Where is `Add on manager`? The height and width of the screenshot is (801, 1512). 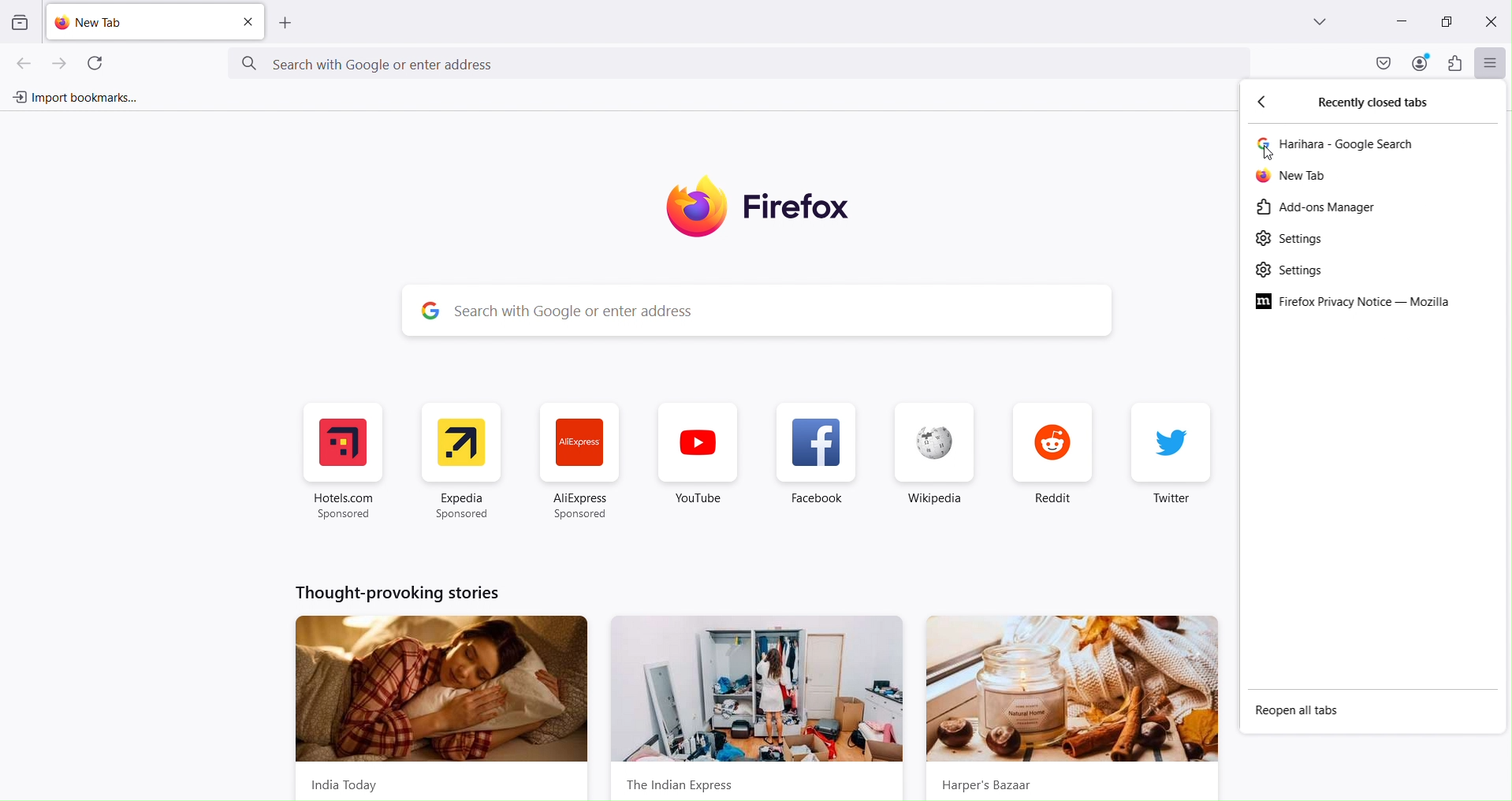
Add on manager is located at coordinates (1316, 208).